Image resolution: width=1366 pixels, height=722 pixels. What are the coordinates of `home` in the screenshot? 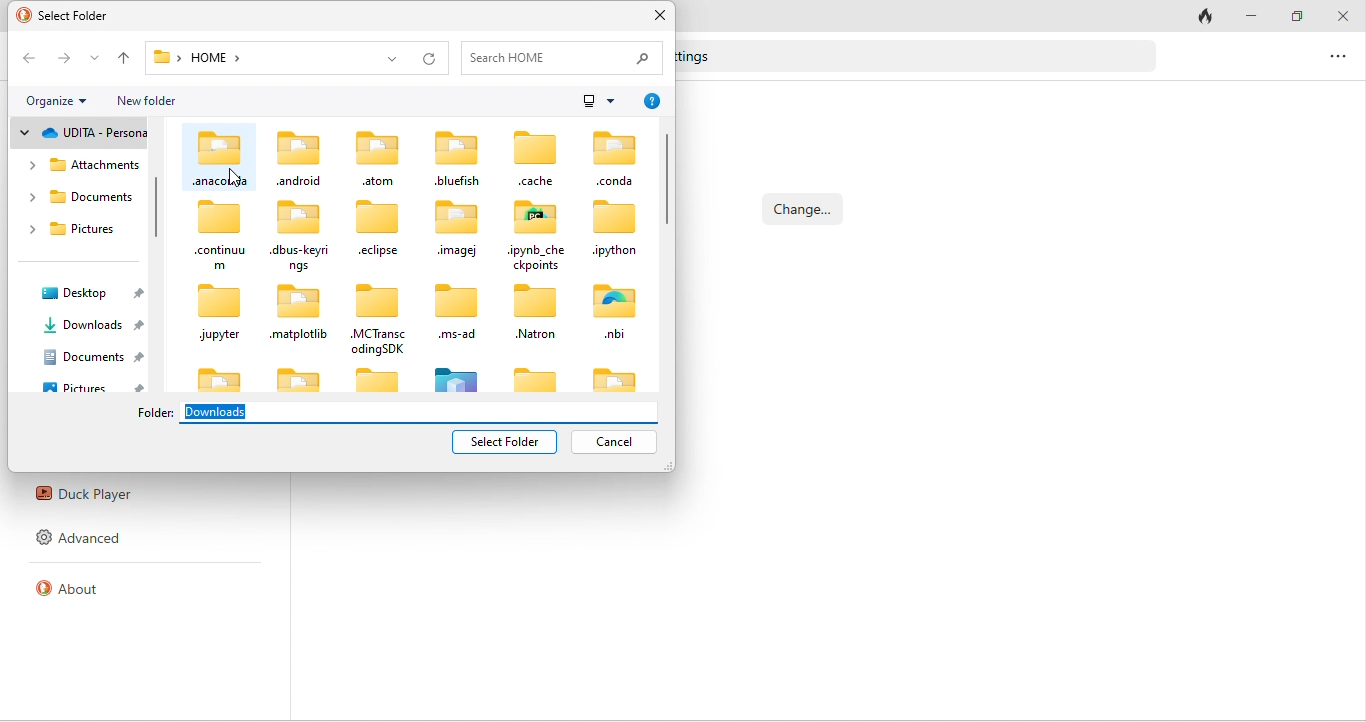 It's located at (219, 59).